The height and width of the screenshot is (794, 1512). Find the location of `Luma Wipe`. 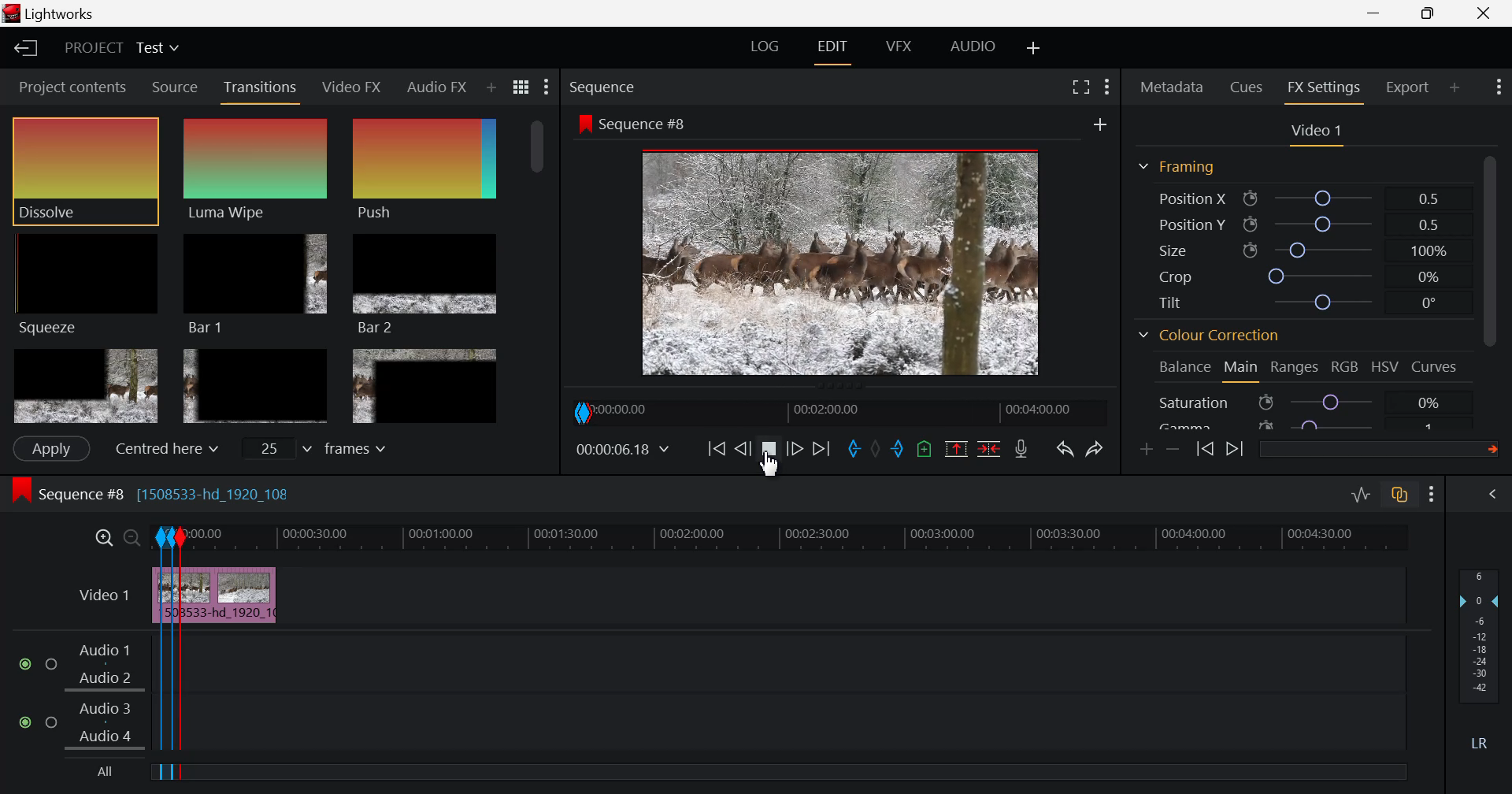

Luma Wipe is located at coordinates (258, 169).